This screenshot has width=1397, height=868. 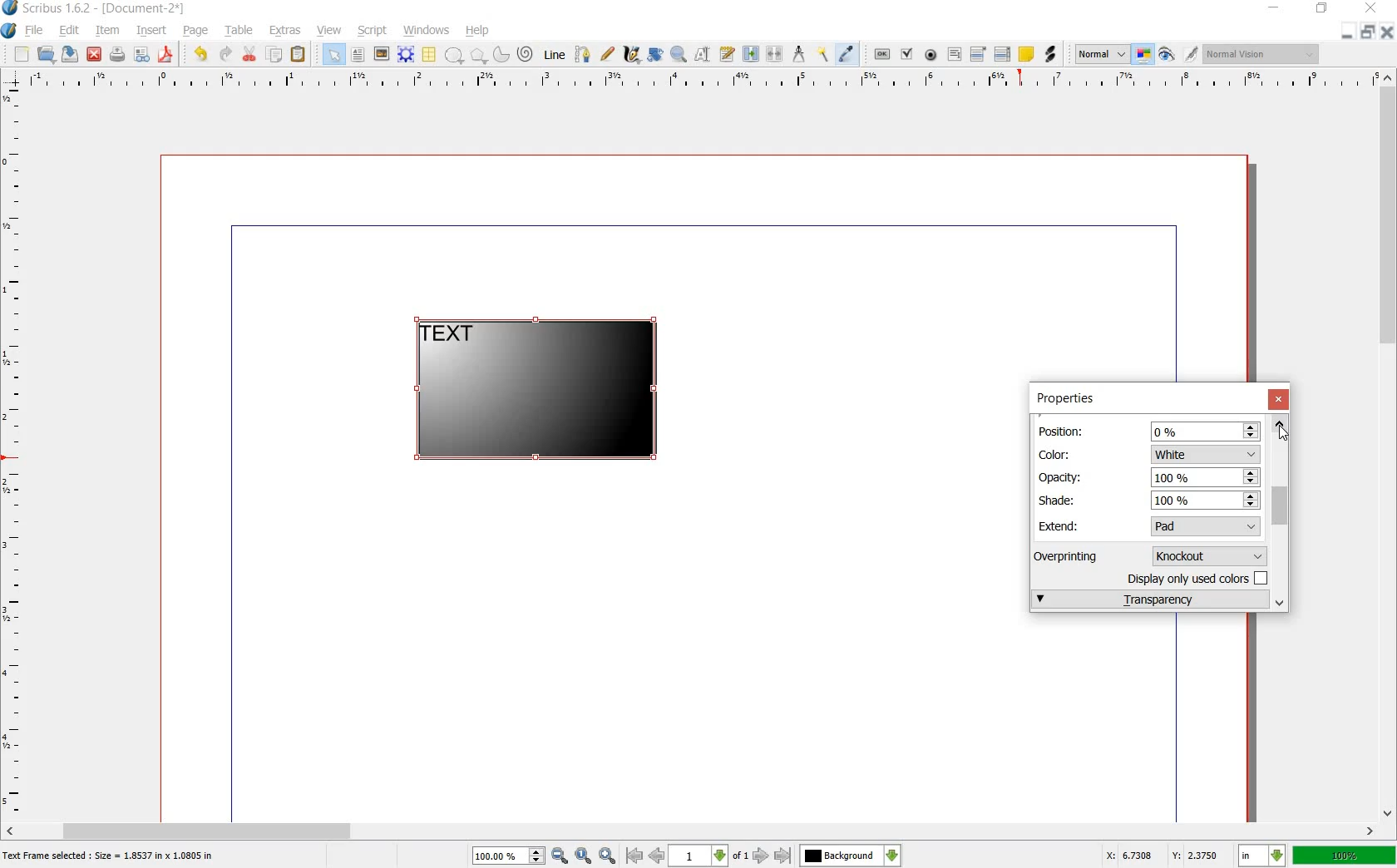 I want to click on Background, so click(x=851, y=856).